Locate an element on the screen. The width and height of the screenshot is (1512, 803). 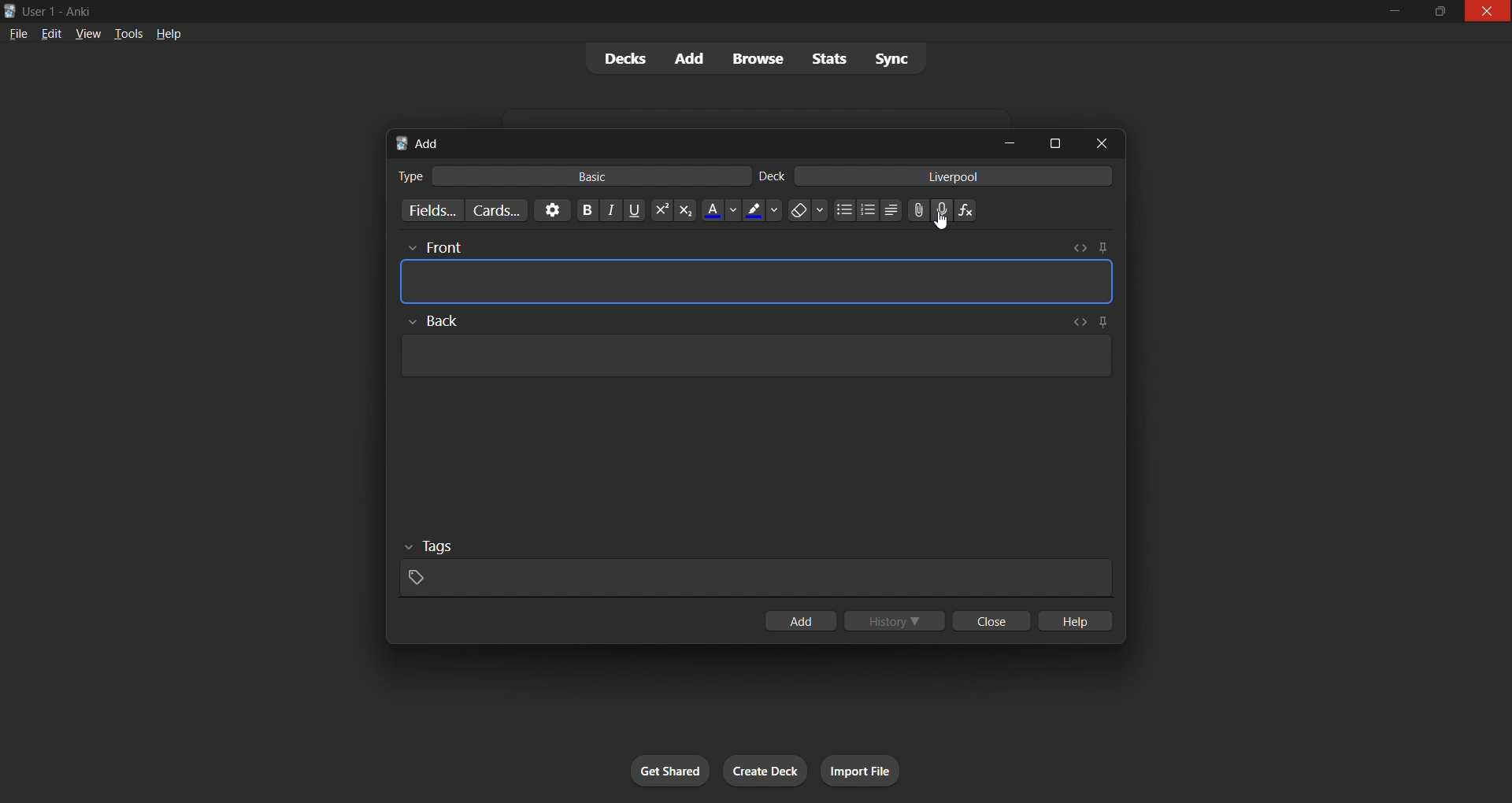
tab title is located at coordinates (686, 141).